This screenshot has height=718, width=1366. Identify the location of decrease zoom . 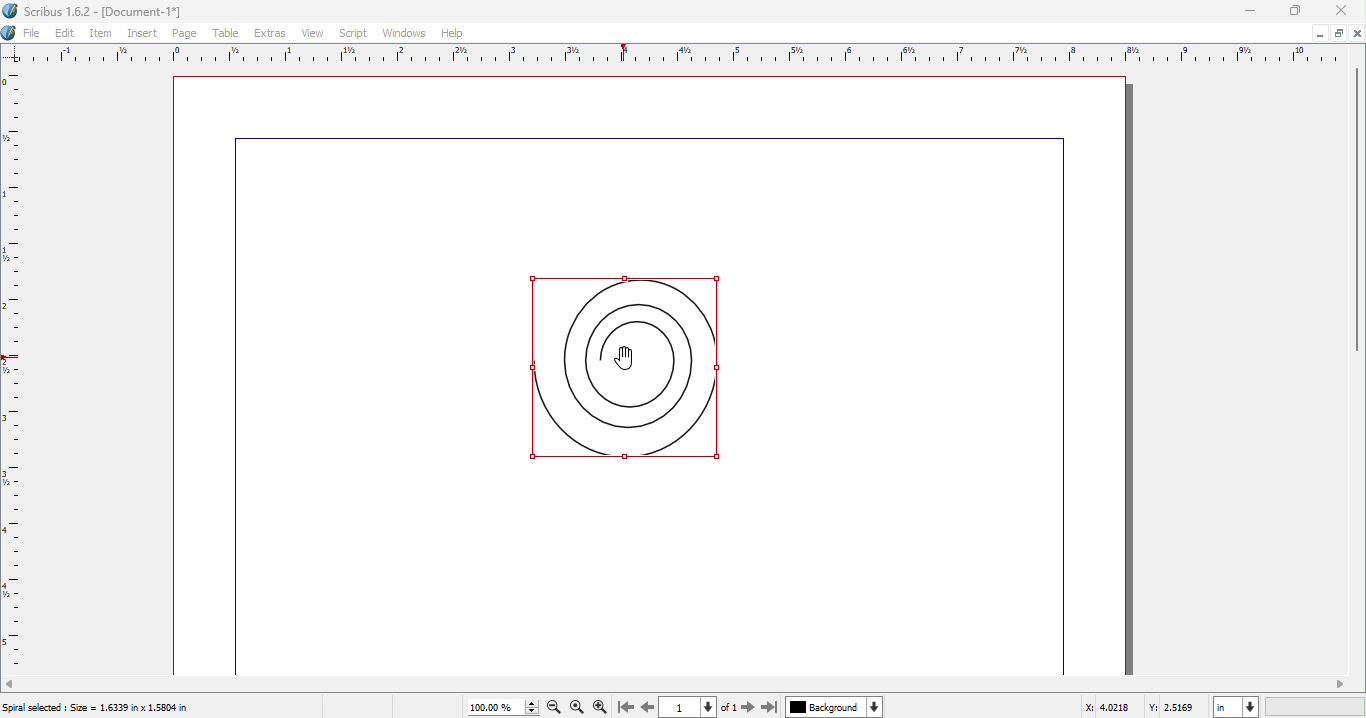
(531, 713).